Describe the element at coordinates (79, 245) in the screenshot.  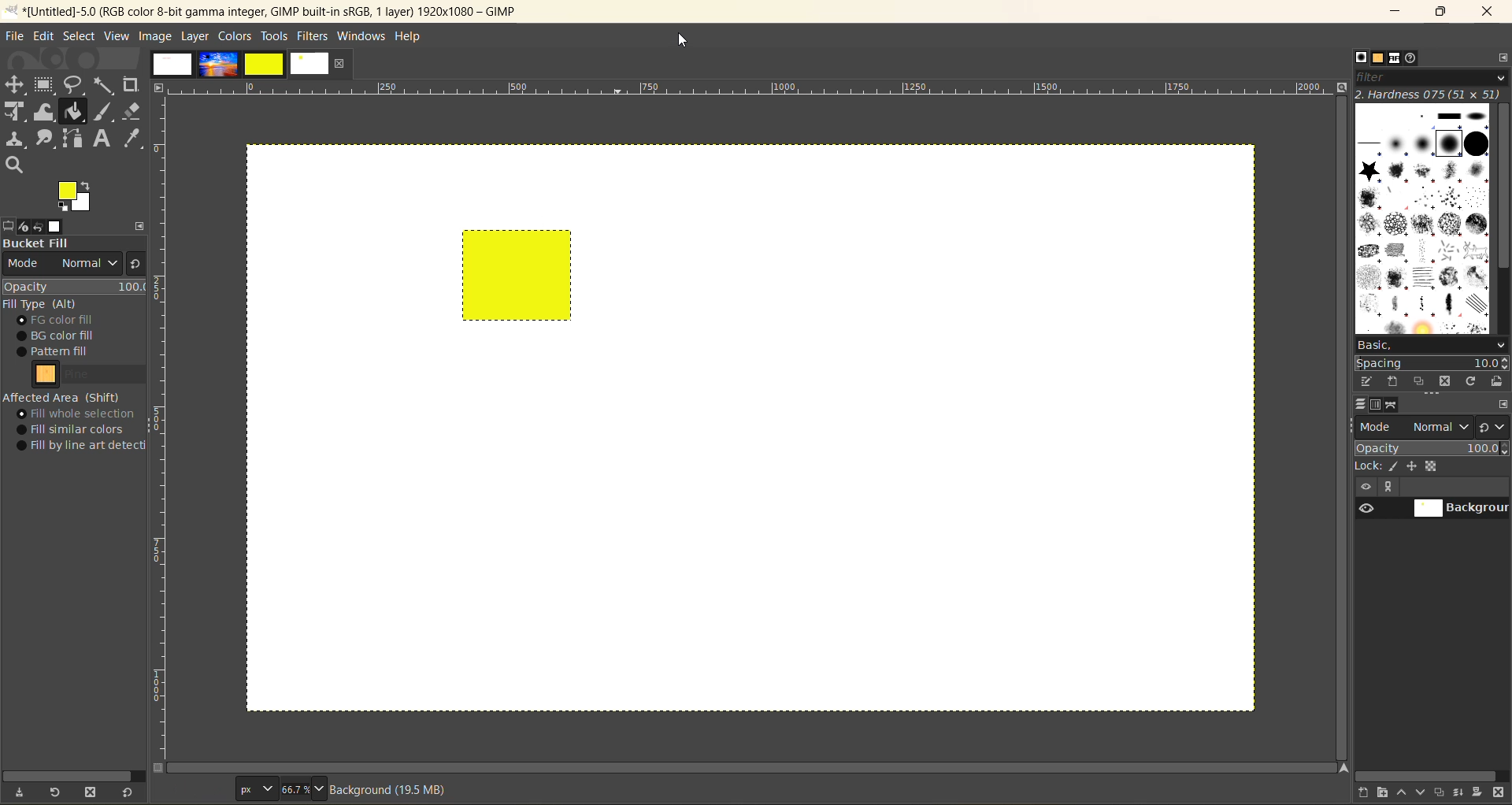
I see `bucket fill` at that location.